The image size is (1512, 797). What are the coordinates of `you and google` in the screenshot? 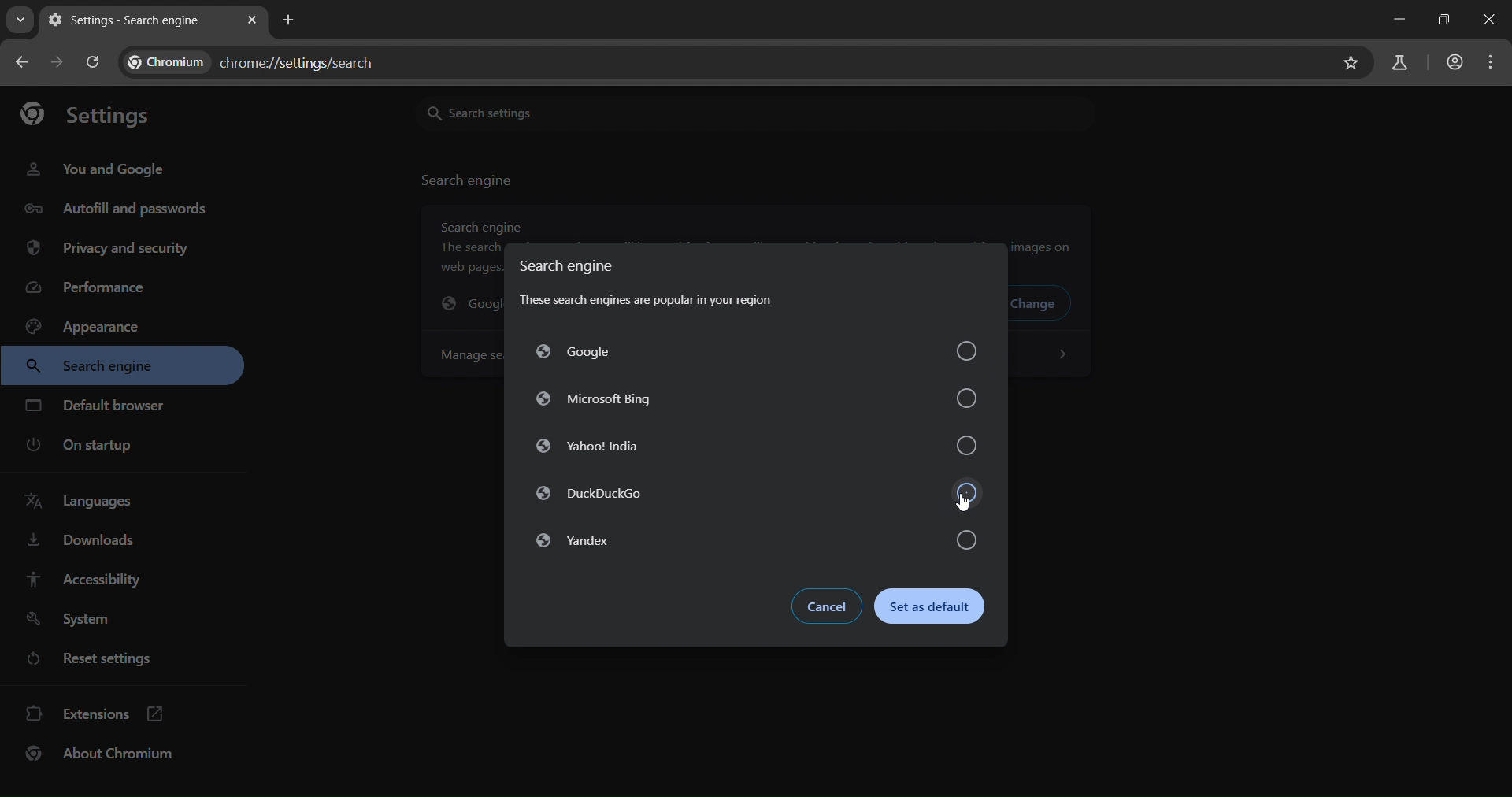 It's located at (99, 169).